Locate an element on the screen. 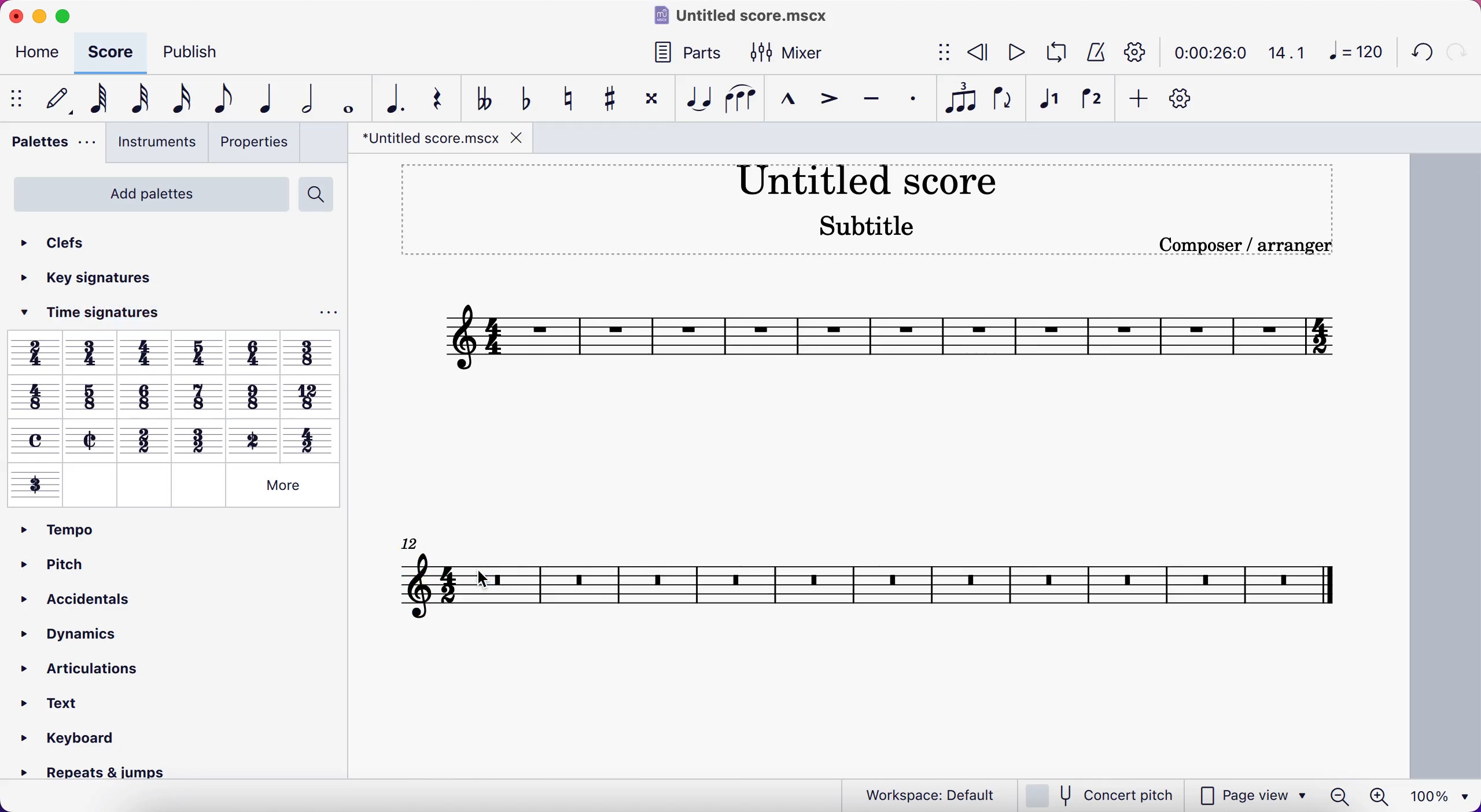  search is located at coordinates (322, 195).